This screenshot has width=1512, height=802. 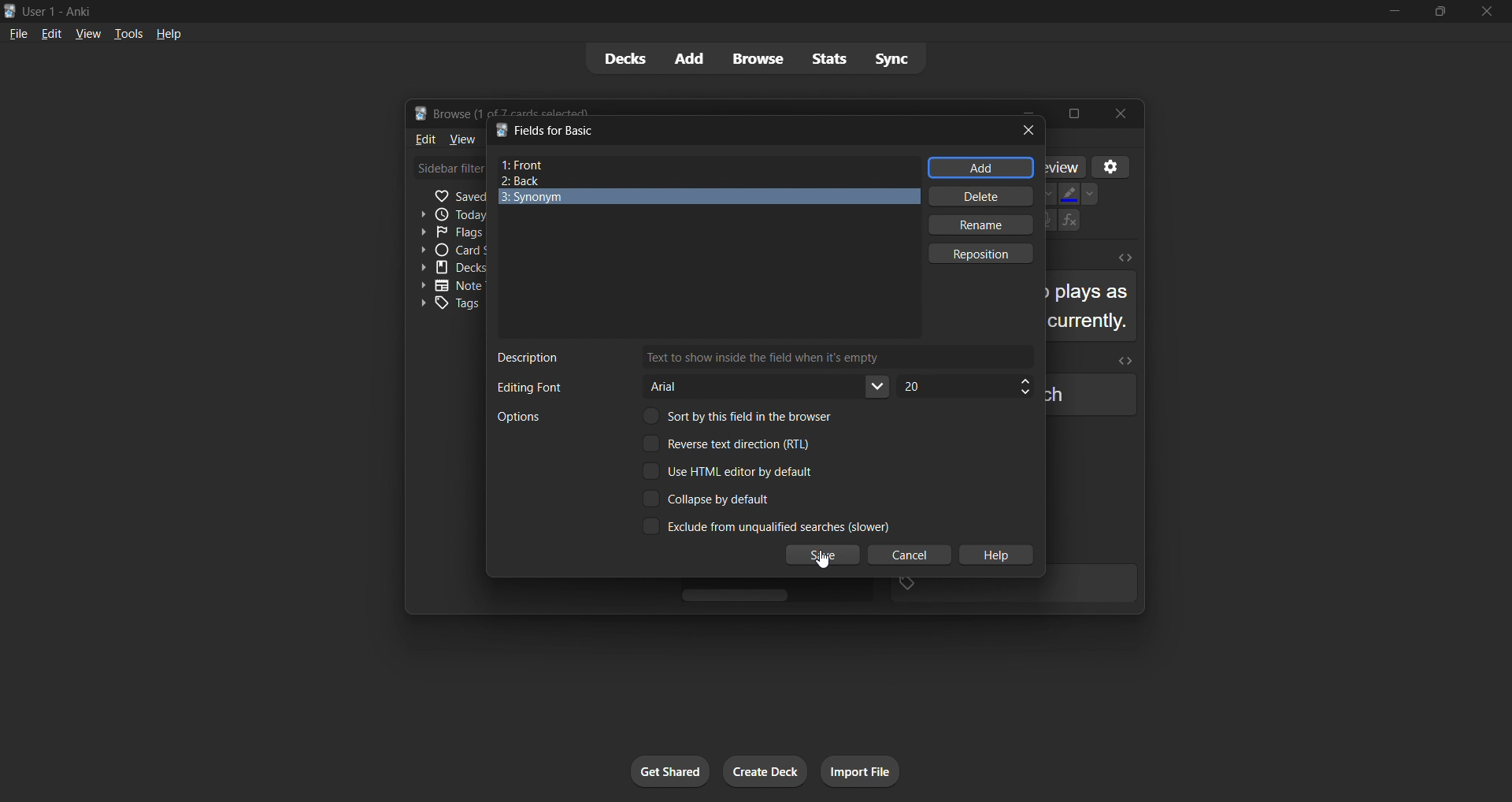 What do you see at coordinates (17, 34) in the screenshot?
I see `file` at bounding box center [17, 34].